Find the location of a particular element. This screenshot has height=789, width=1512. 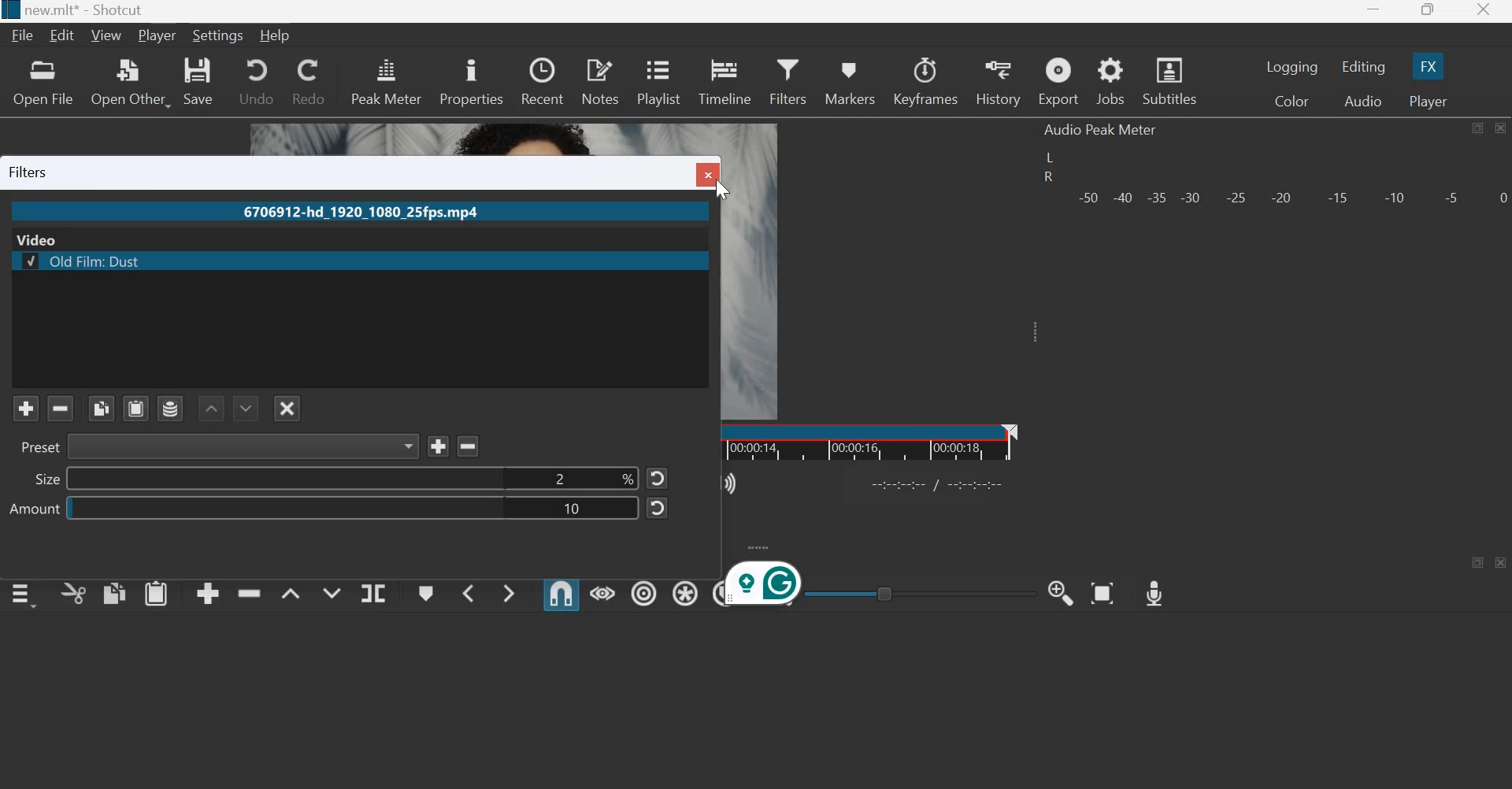

Add a filter is located at coordinates (24, 408).